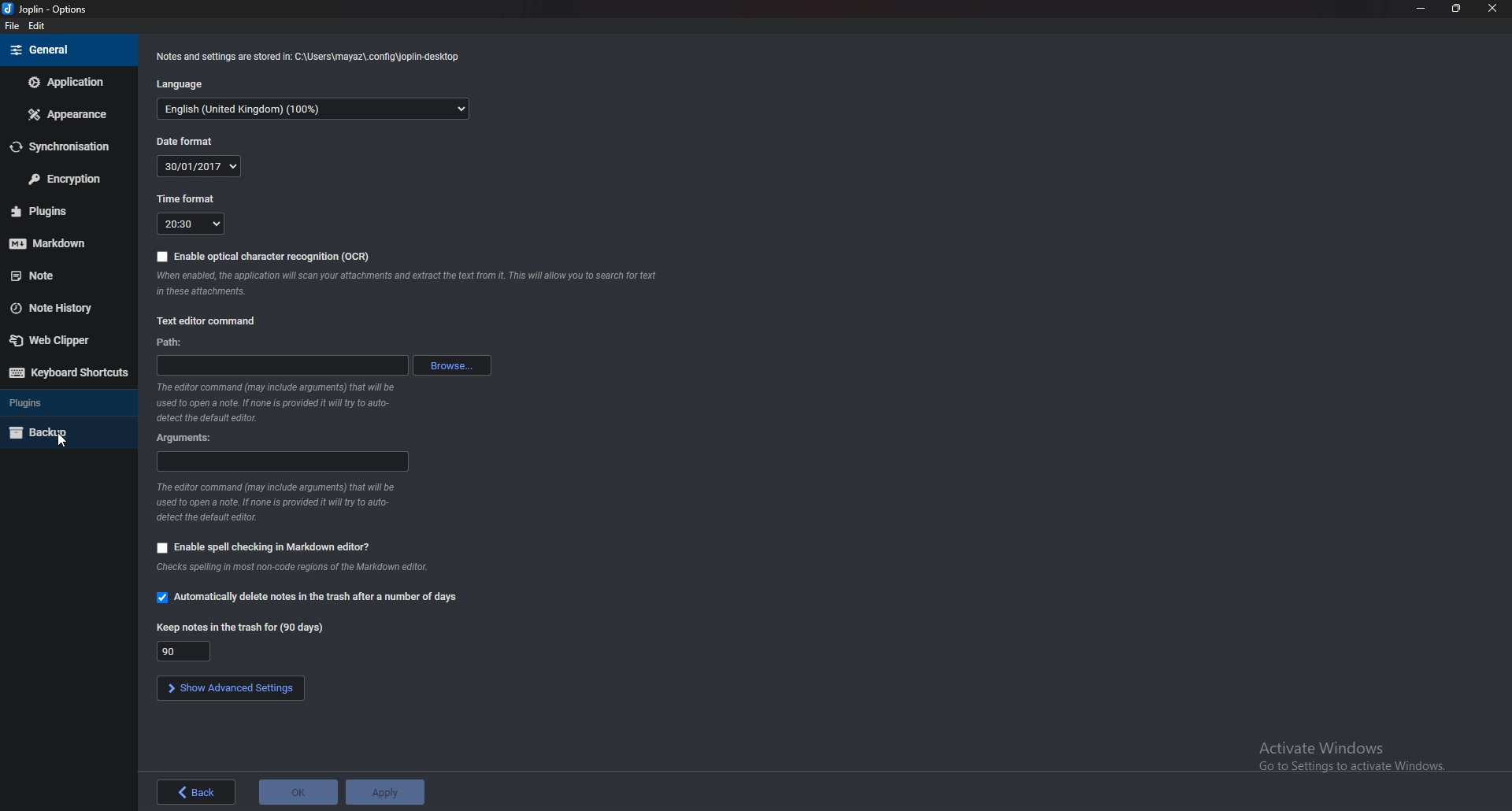  Describe the element at coordinates (59, 241) in the screenshot. I see `Mark down` at that location.